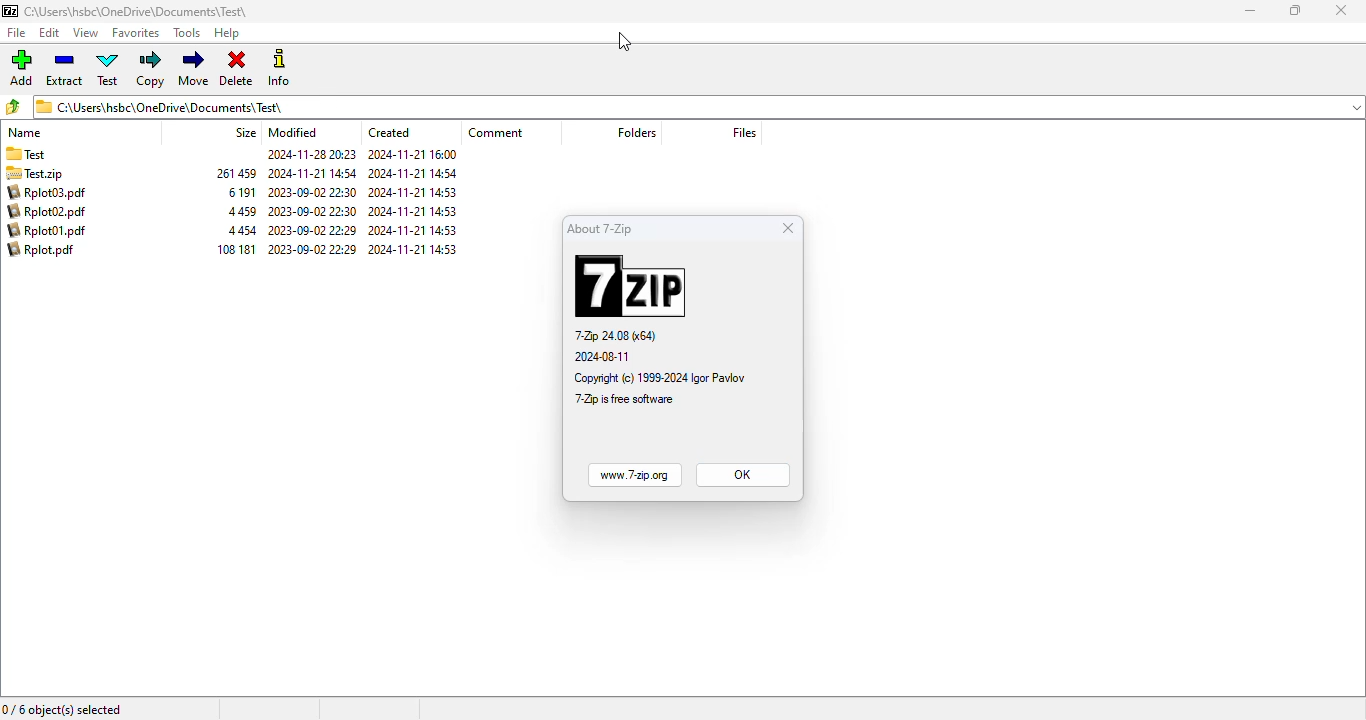  What do you see at coordinates (314, 192) in the screenshot?
I see `2023-09-02 22:30` at bounding box center [314, 192].